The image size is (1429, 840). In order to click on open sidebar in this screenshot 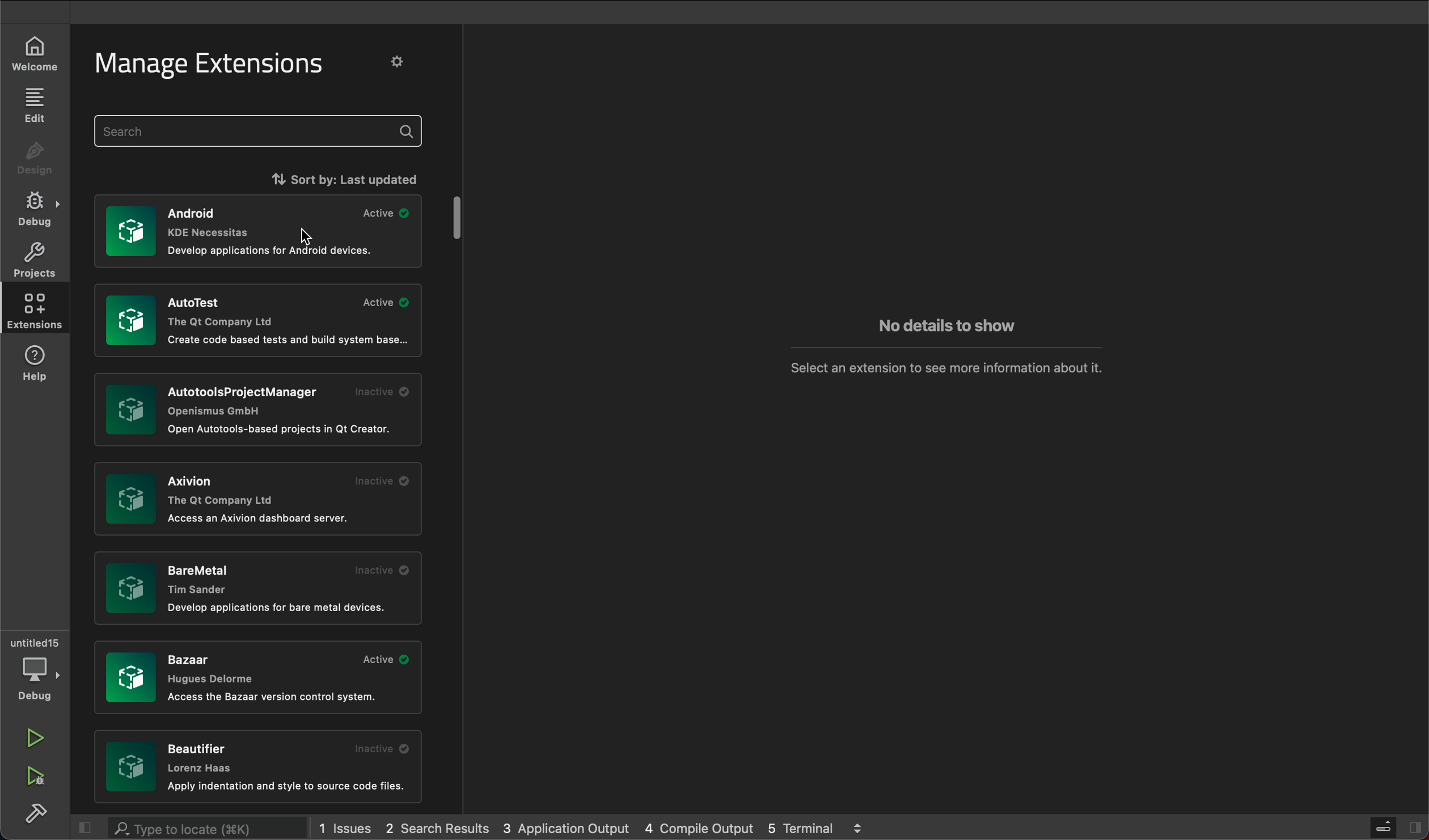, I will do `click(1413, 828)`.